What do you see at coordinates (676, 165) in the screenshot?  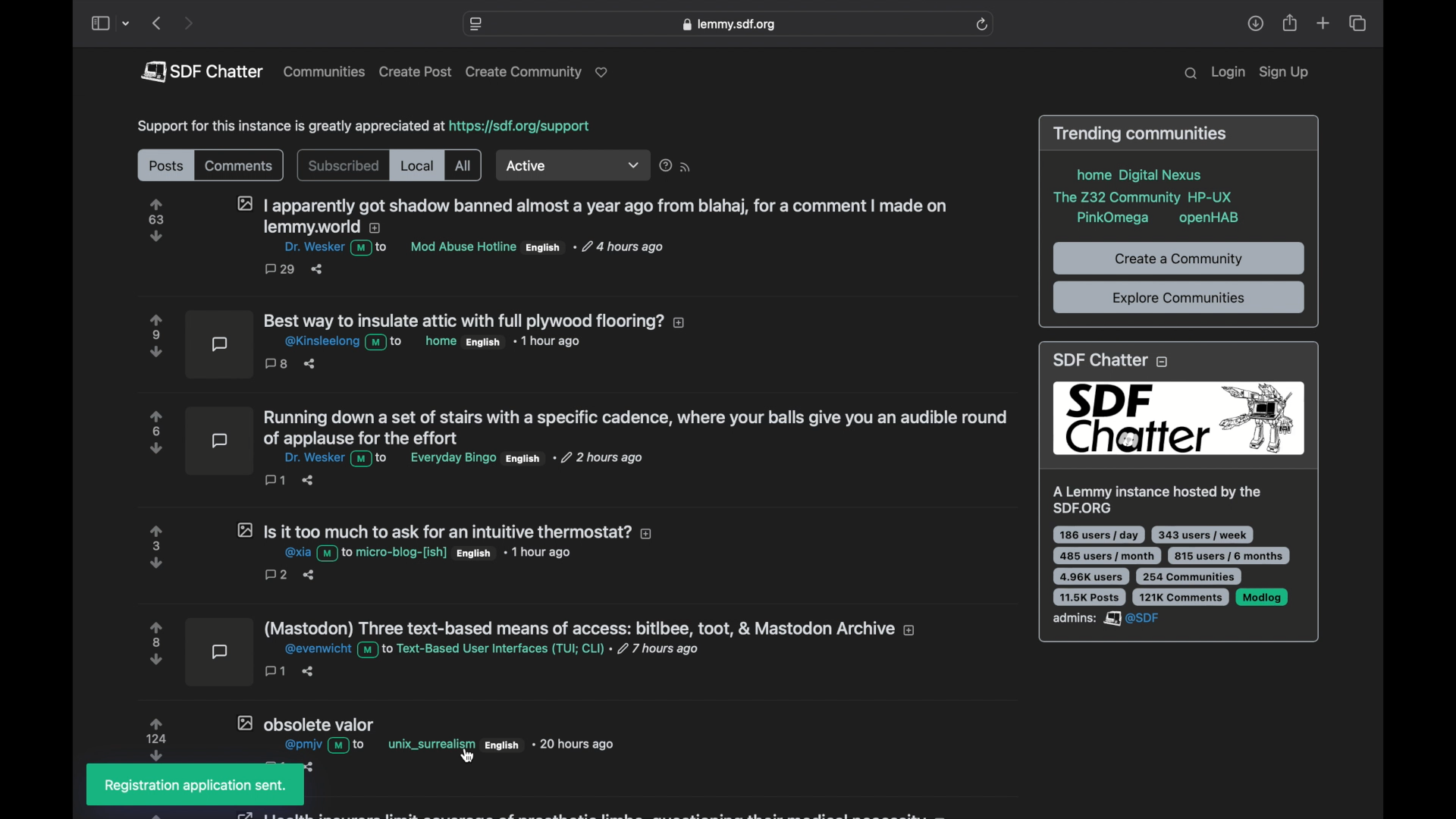 I see `exclamation and question` at bounding box center [676, 165].